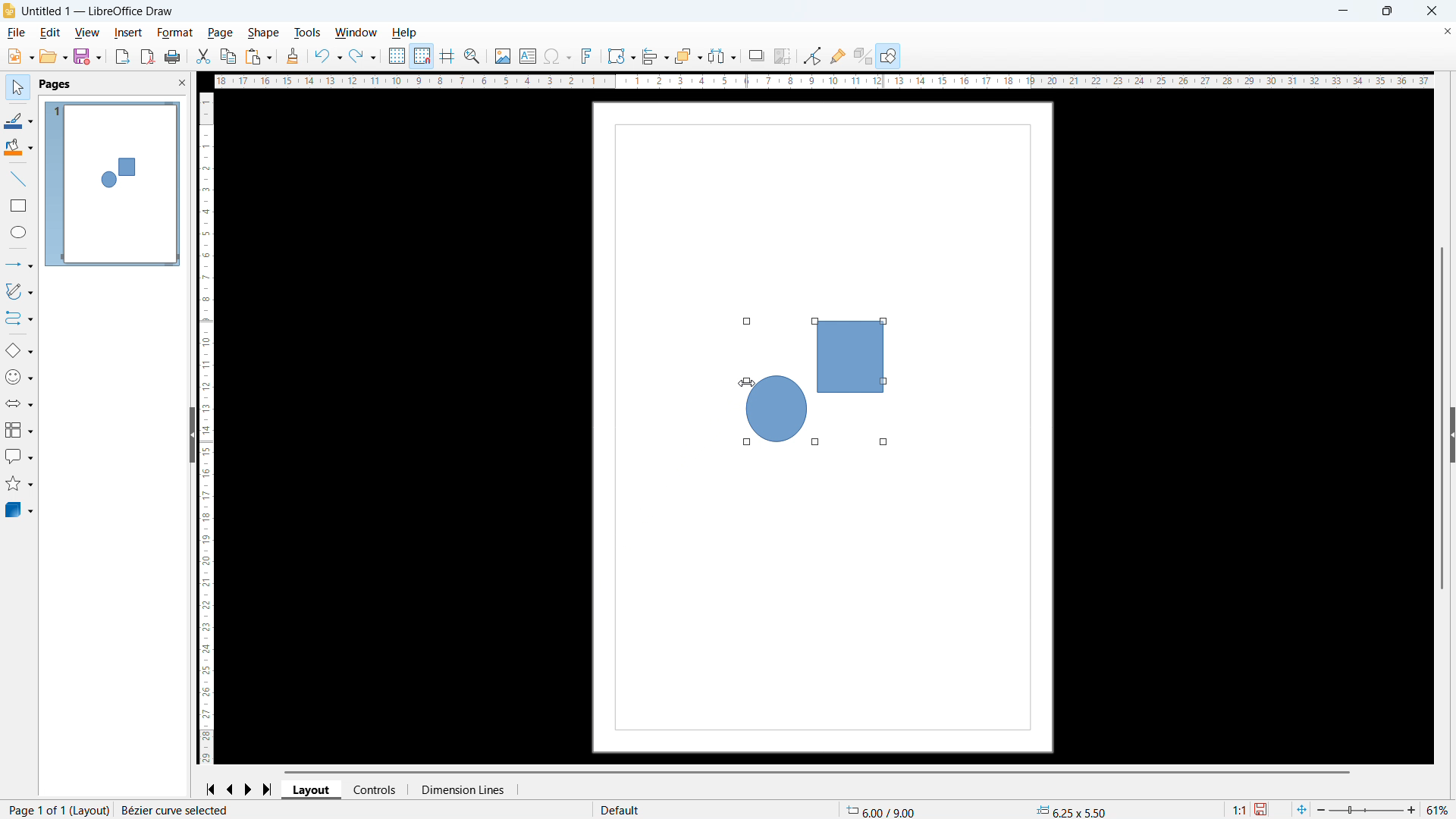  I want to click on New , so click(20, 57).